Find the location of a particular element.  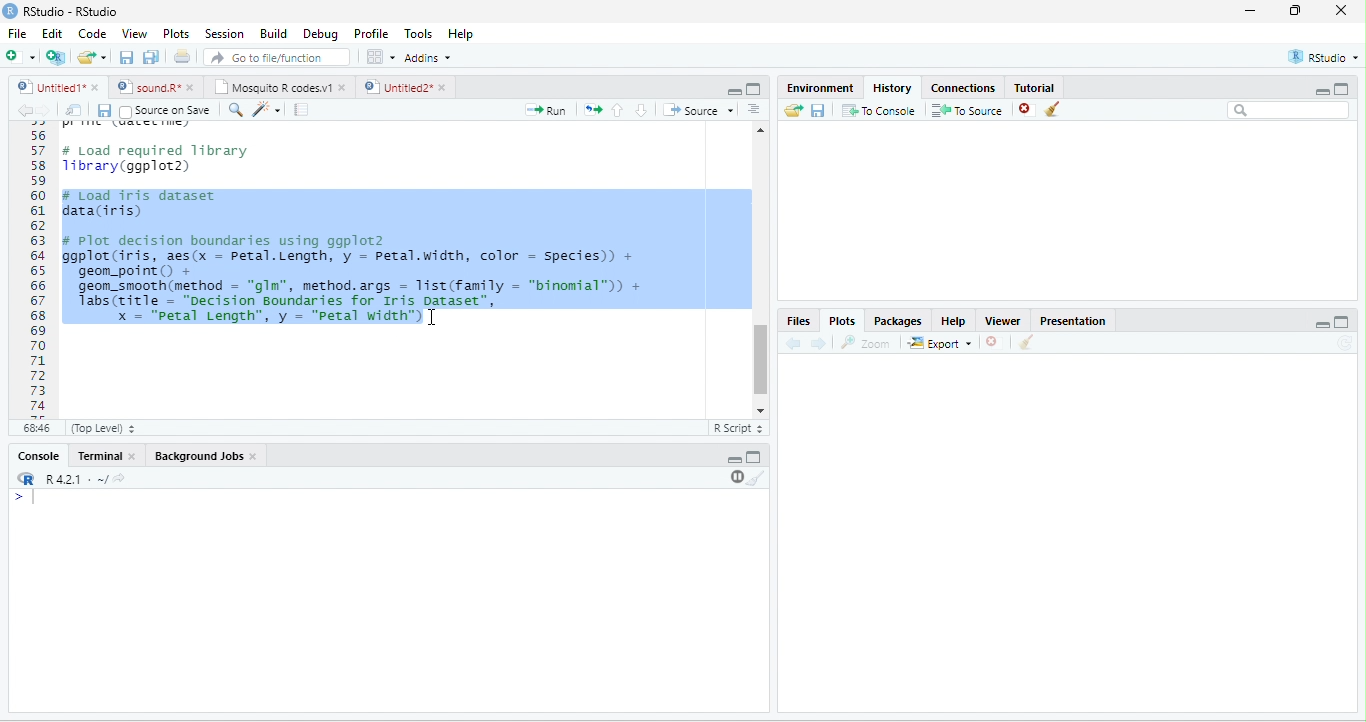

Plots is located at coordinates (843, 322).